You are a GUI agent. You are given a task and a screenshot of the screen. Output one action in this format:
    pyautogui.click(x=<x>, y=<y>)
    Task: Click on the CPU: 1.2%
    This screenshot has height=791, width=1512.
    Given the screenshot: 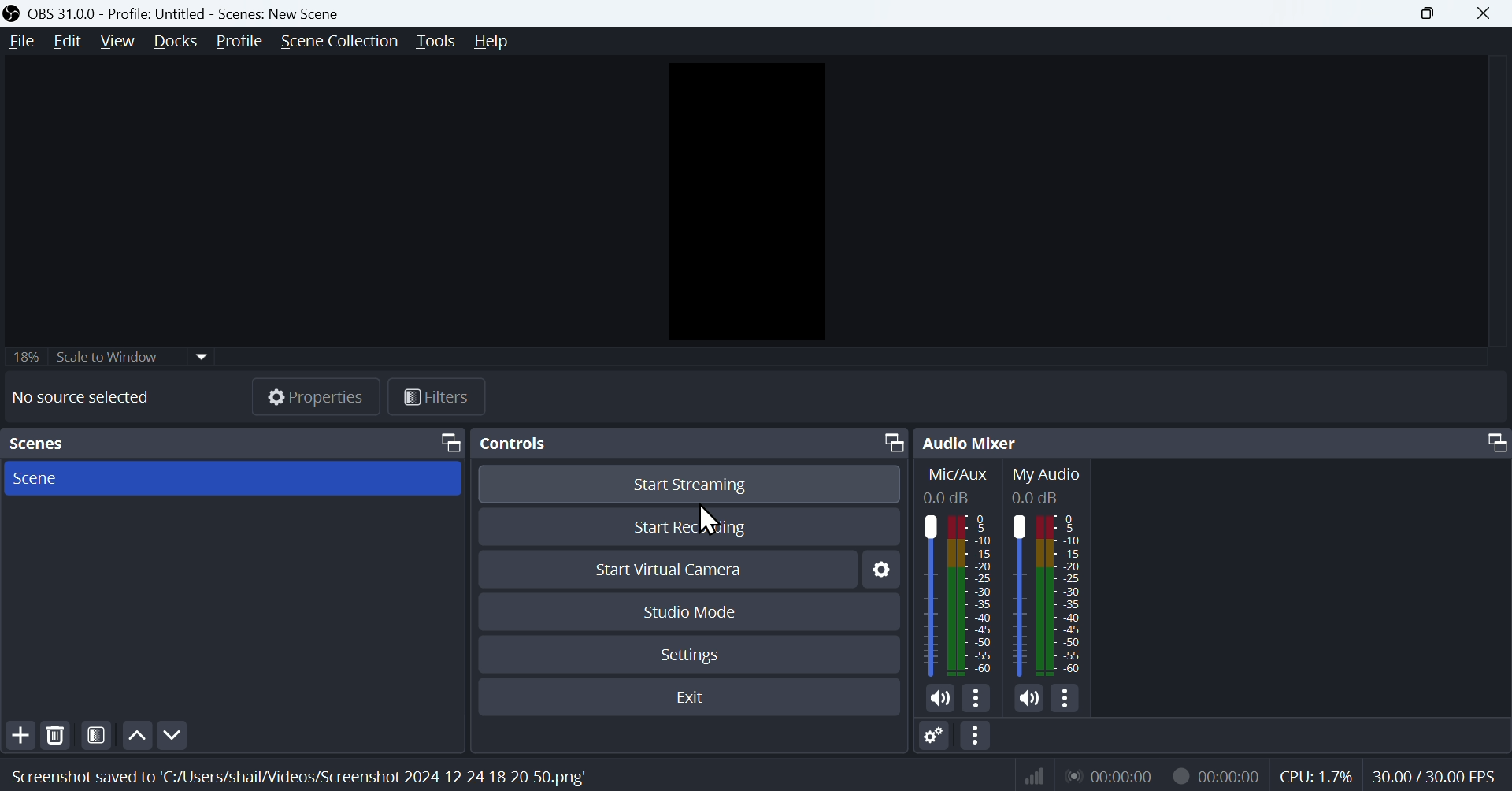 What is the action you would take?
    pyautogui.click(x=1317, y=774)
    